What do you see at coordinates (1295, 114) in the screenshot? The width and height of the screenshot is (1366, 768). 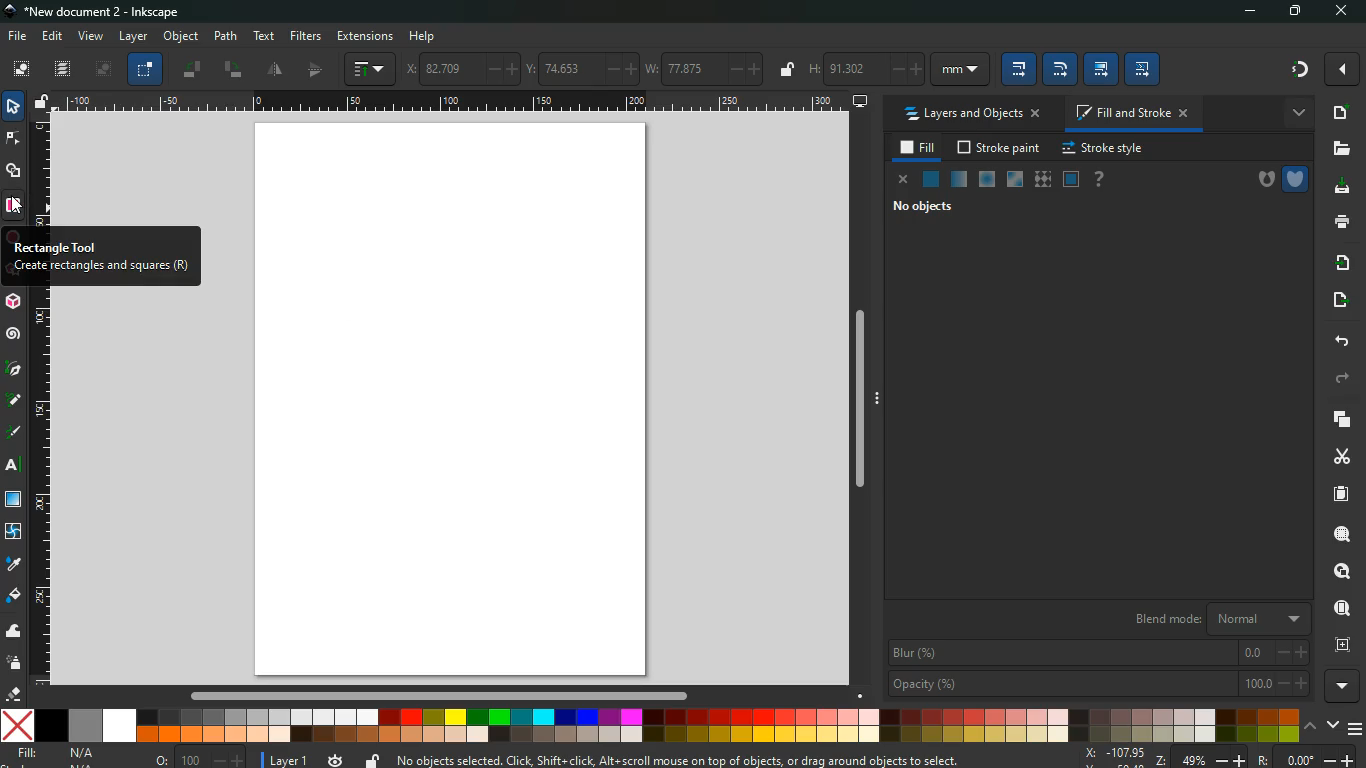 I see `more` at bounding box center [1295, 114].